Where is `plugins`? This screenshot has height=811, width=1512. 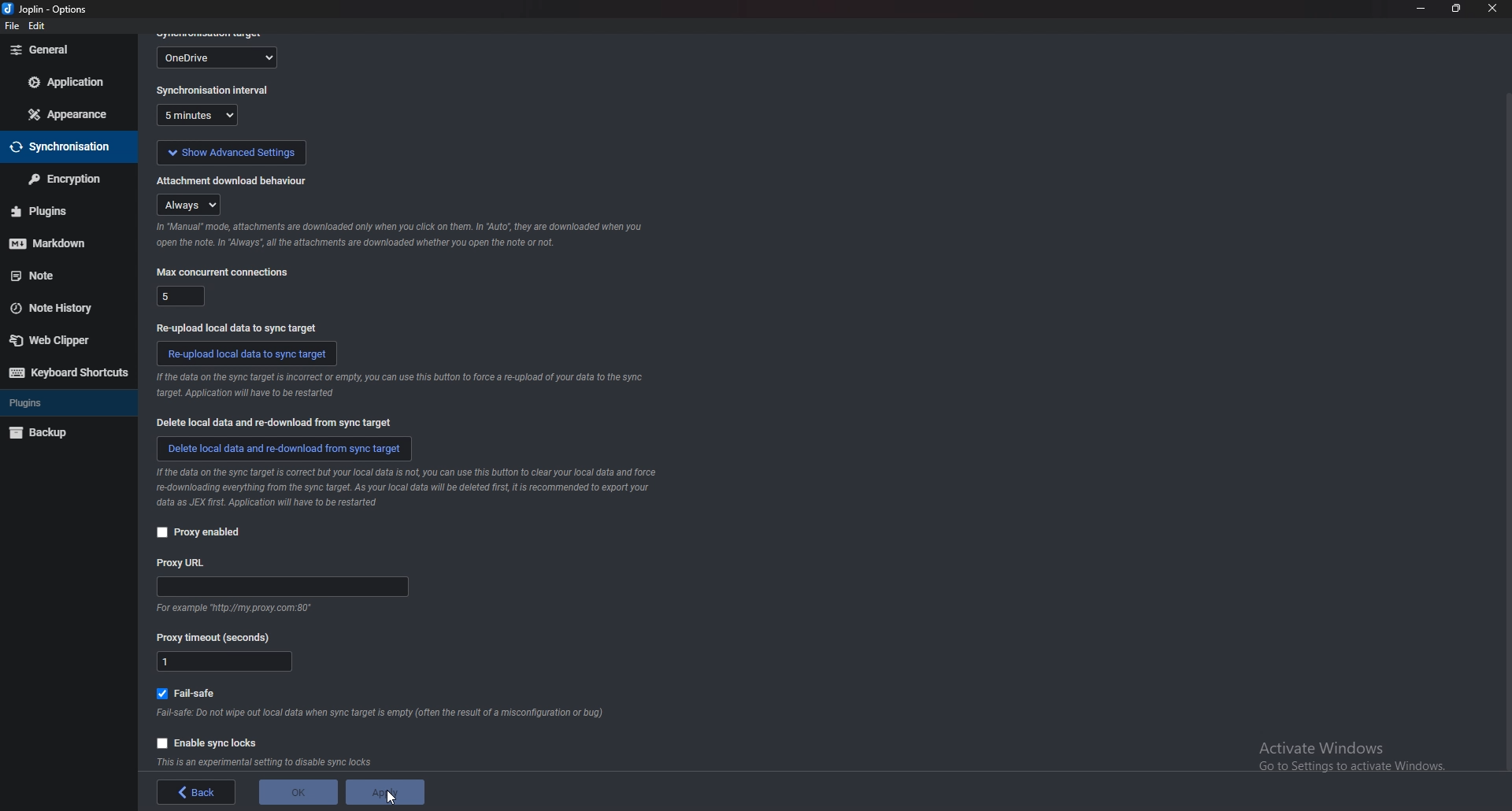
plugins is located at coordinates (61, 405).